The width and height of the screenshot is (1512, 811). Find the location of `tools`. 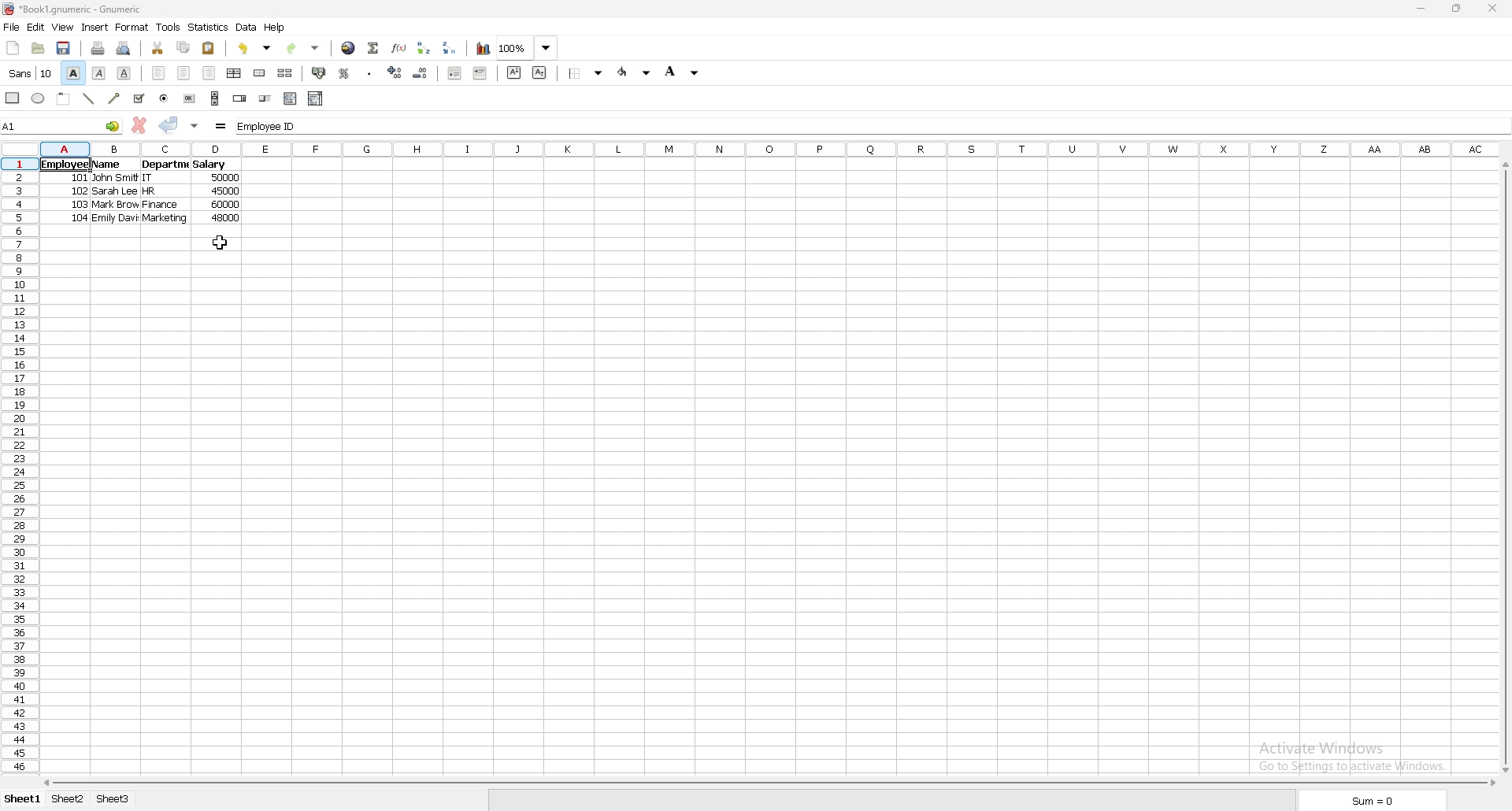

tools is located at coordinates (168, 27).